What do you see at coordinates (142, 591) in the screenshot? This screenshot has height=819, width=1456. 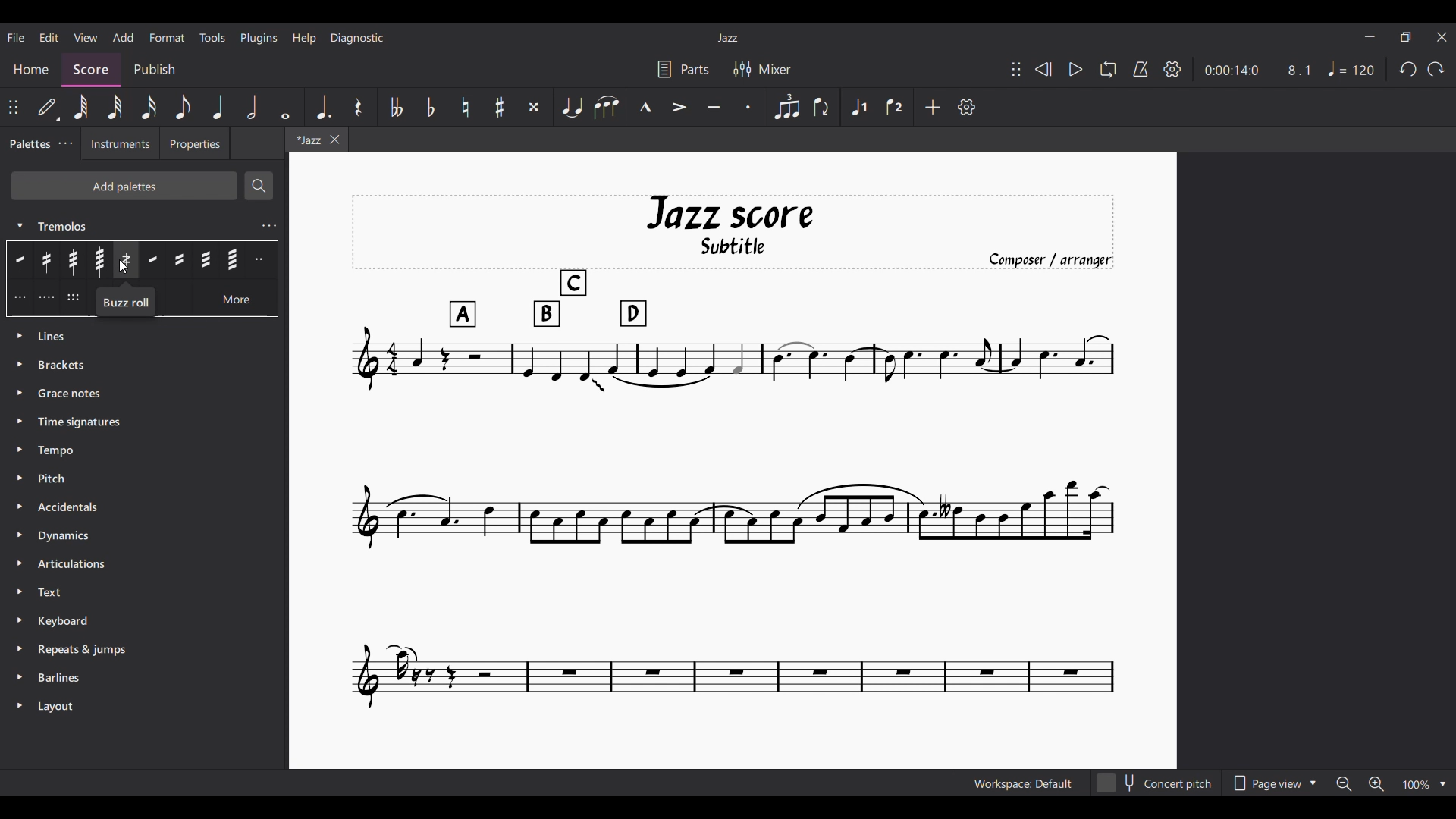 I see `Text` at bounding box center [142, 591].